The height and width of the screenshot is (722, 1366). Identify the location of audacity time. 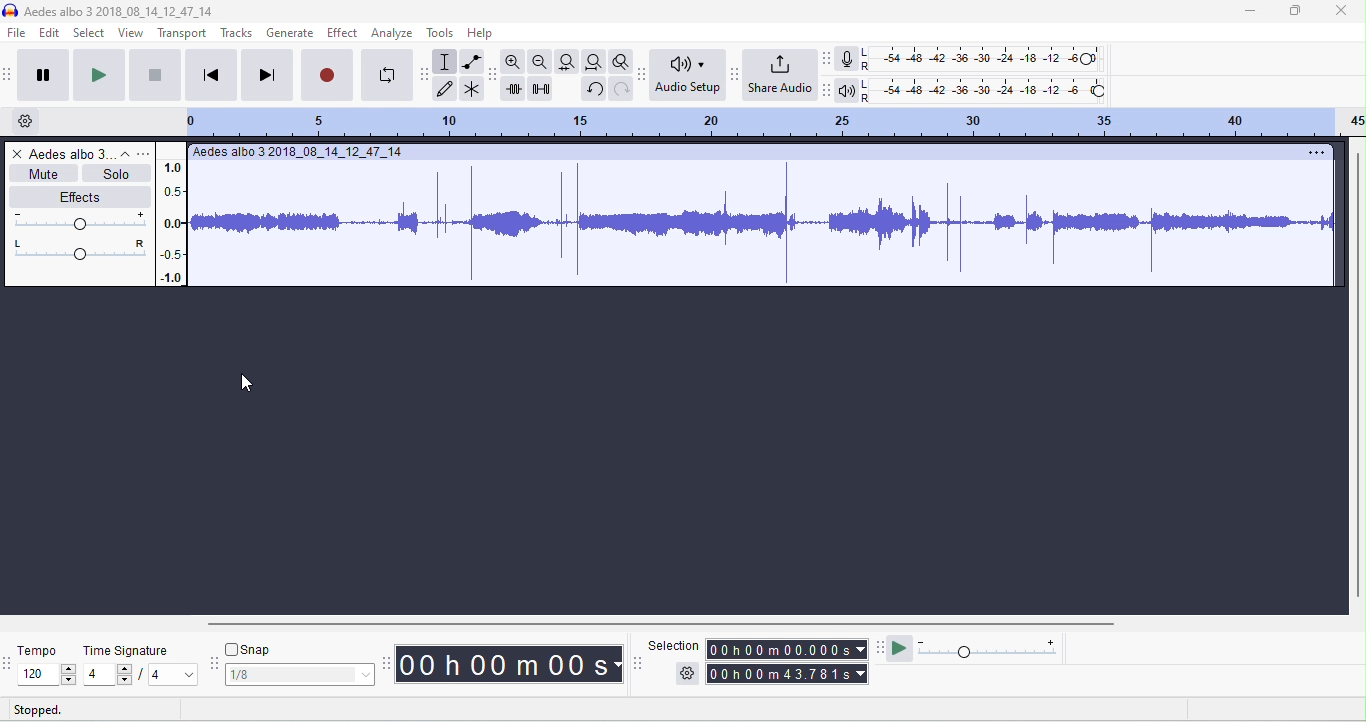
(510, 665).